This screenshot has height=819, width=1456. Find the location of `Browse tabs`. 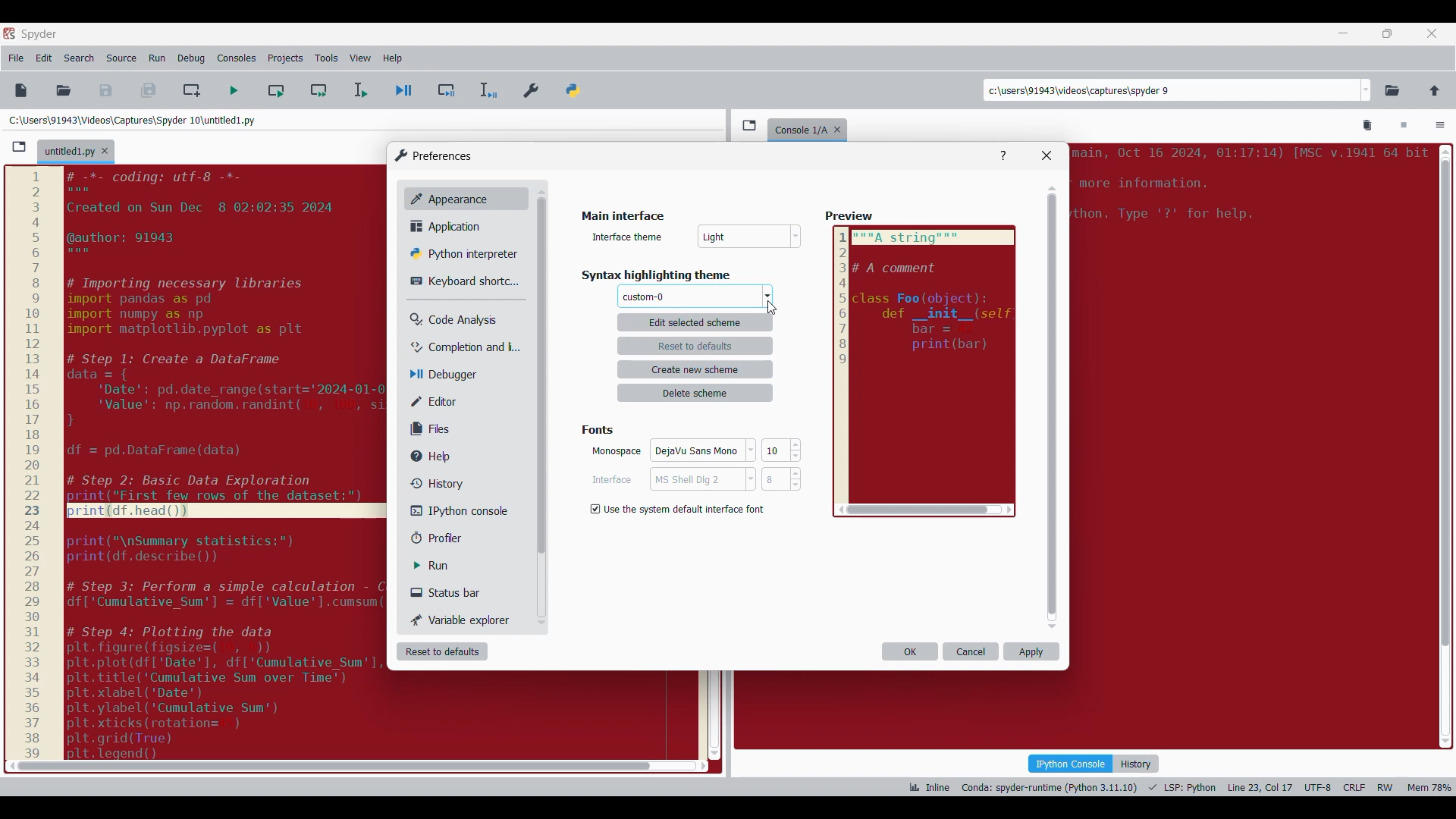

Browse tabs is located at coordinates (19, 147).